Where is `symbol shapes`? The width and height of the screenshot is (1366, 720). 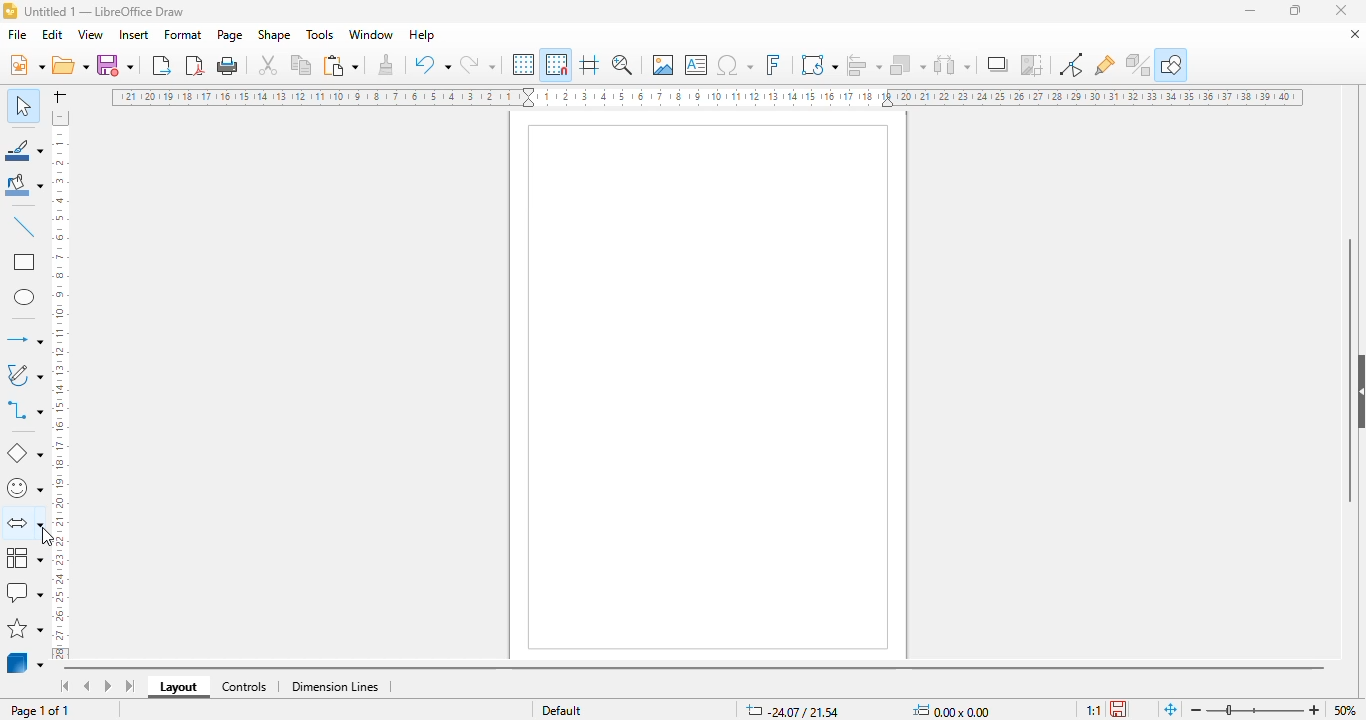 symbol shapes is located at coordinates (23, 489).